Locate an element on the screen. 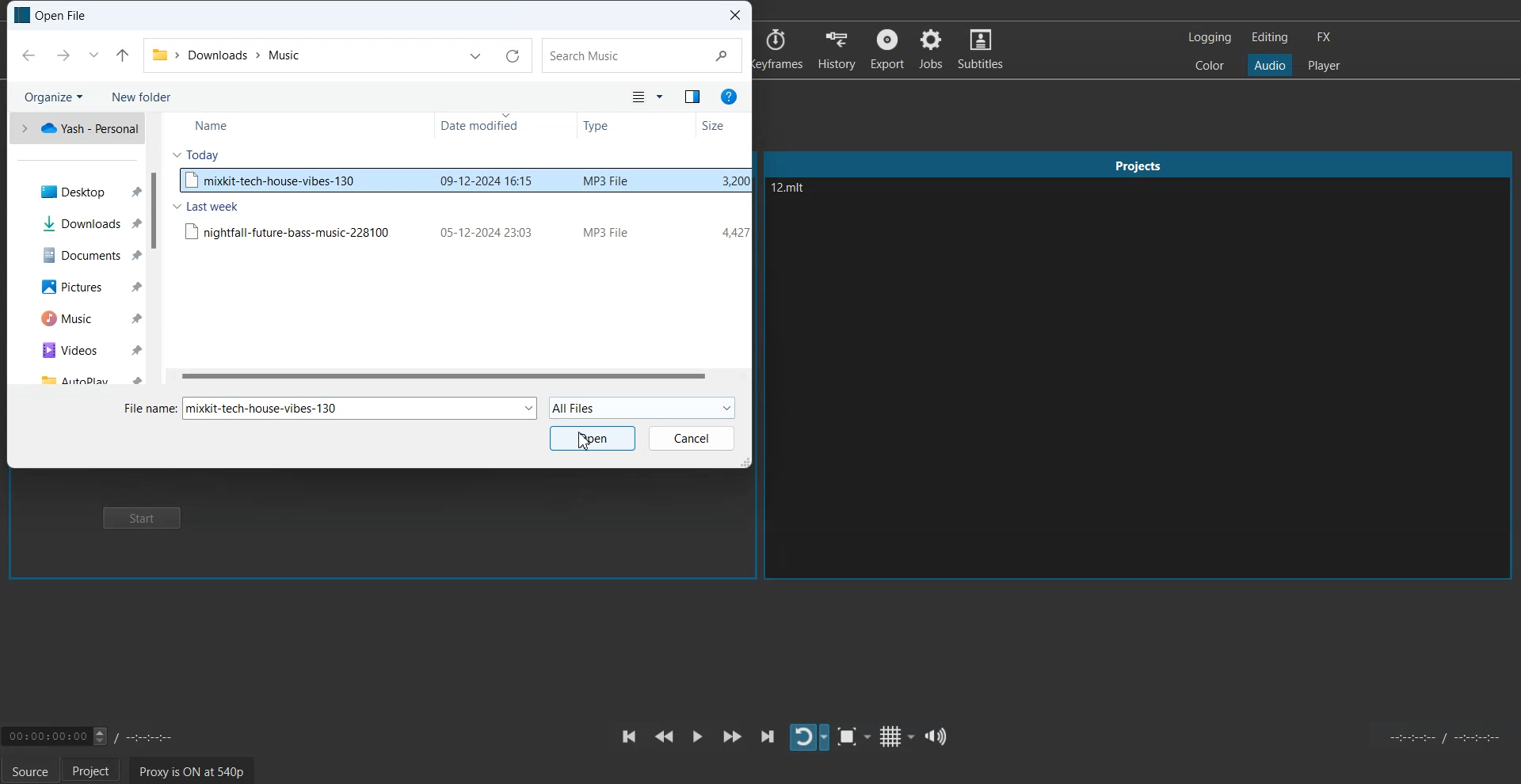  Toggle Zoom is located at coordinates (853, 737).